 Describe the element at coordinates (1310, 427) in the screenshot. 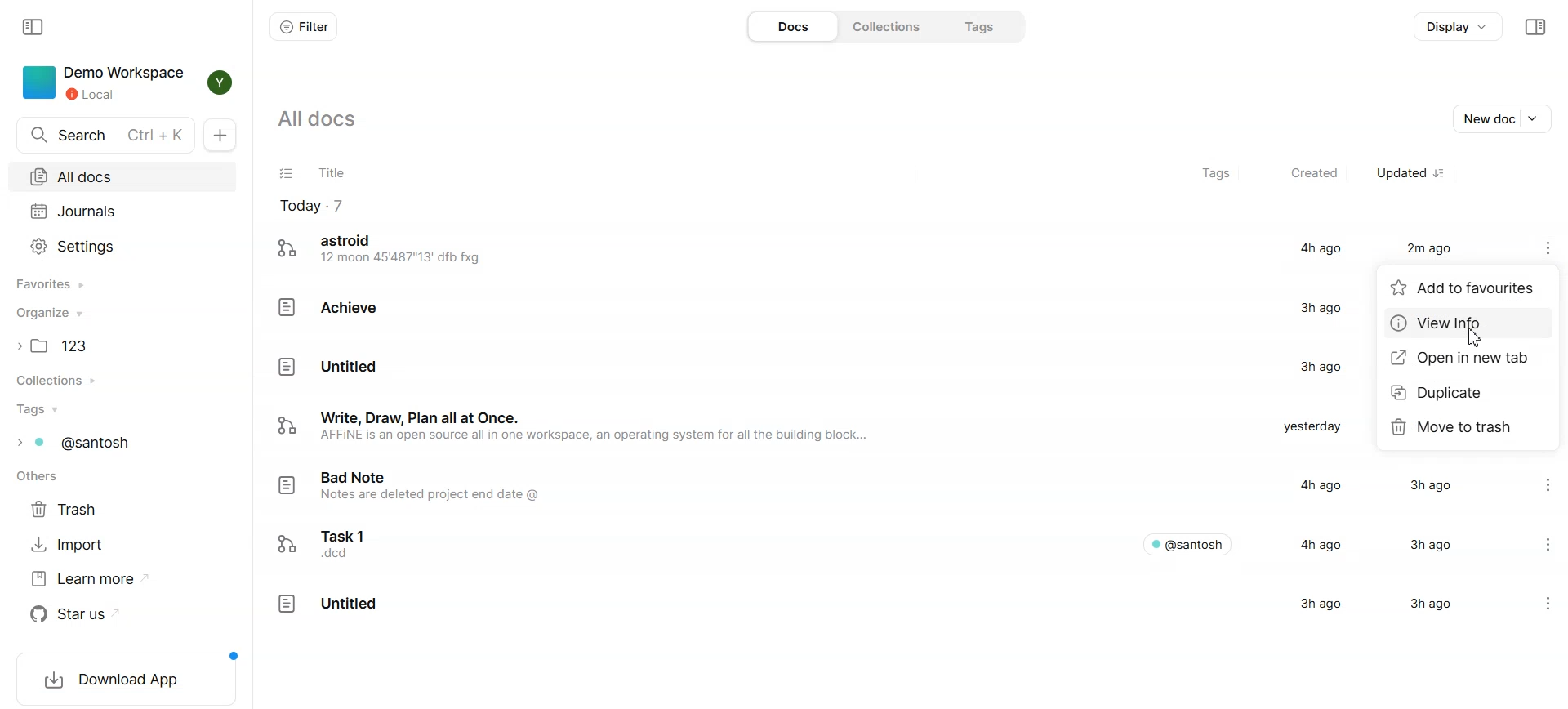

I see `yesterday` at that location.